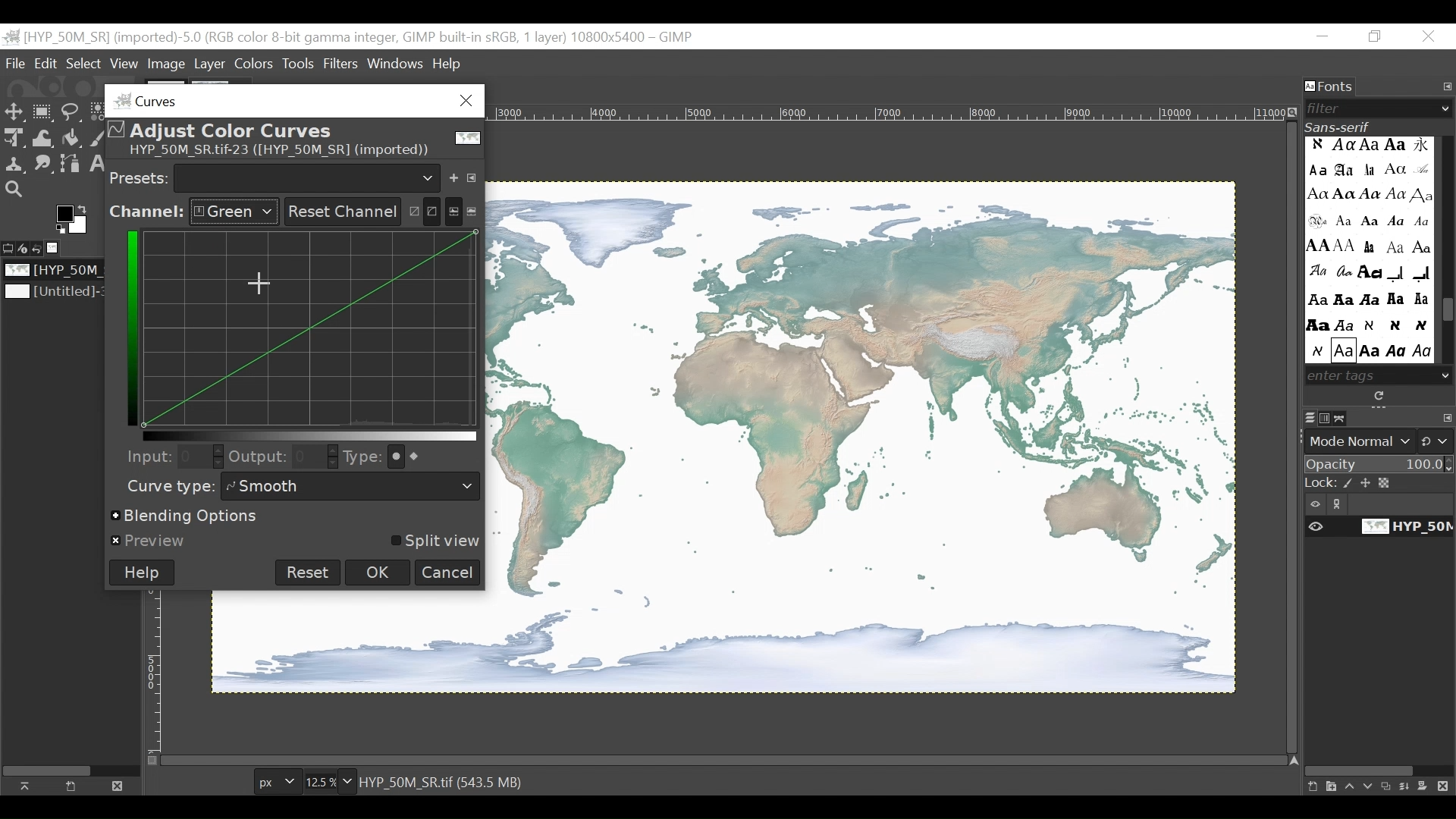  I want to click on Channel Selection, so click(193, 212).